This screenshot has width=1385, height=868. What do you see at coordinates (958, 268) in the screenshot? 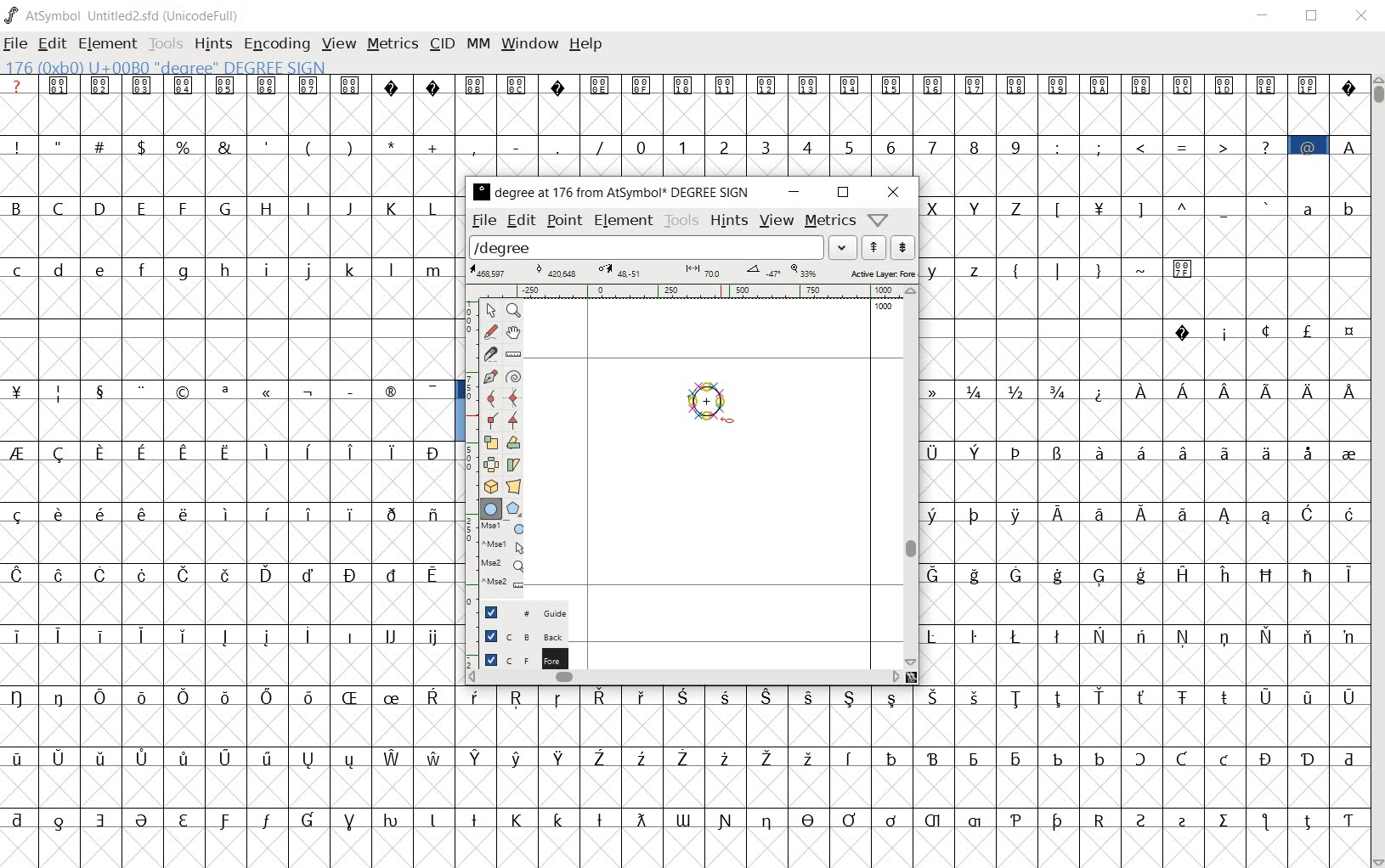
I see `y z` at bounding box center [958, 268].